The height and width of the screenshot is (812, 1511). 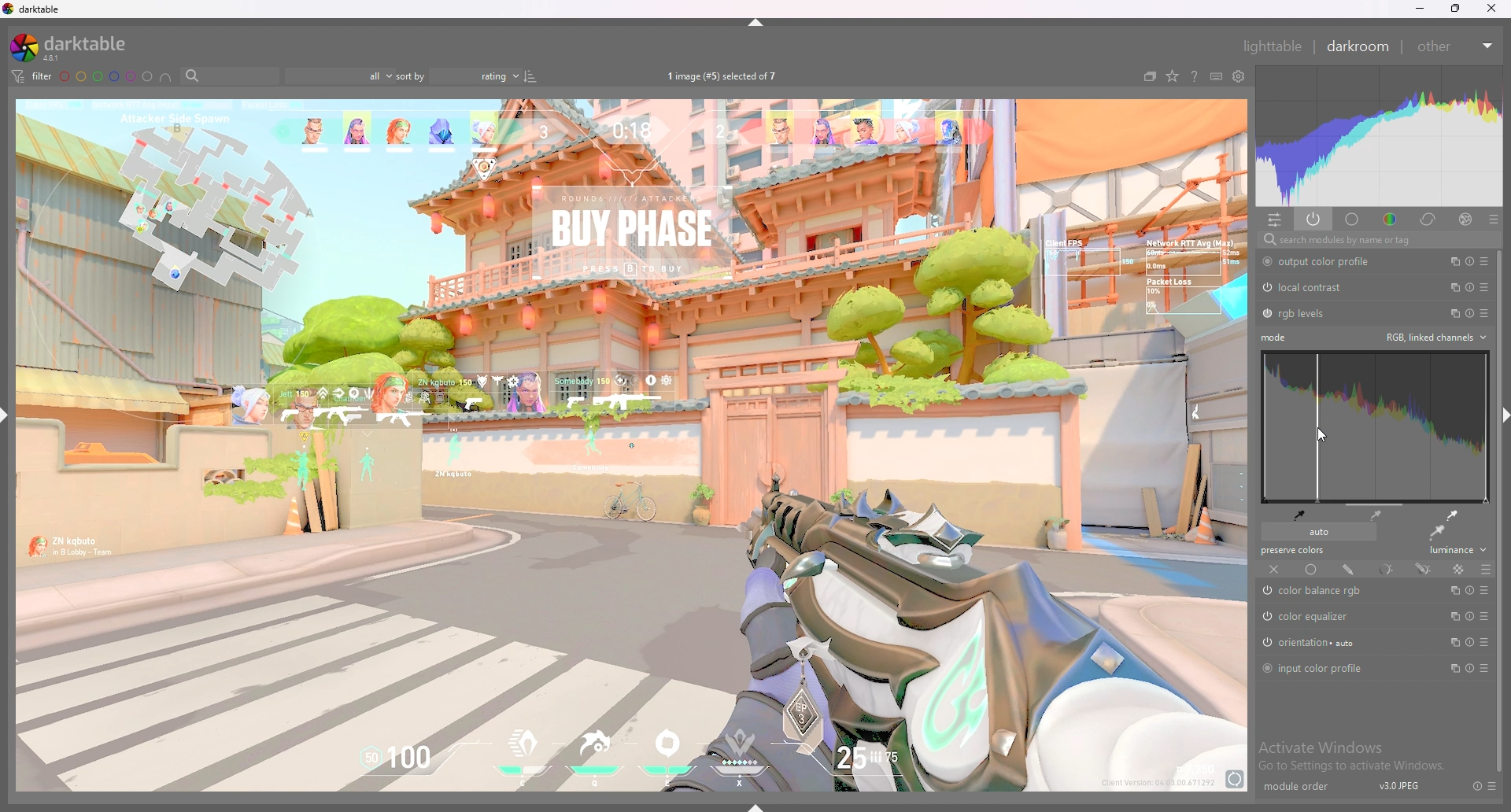 What do you see at coordinates (1173, 77) in the screenshot?
I see `change type of overlays` at bounding box center [1173, 77].